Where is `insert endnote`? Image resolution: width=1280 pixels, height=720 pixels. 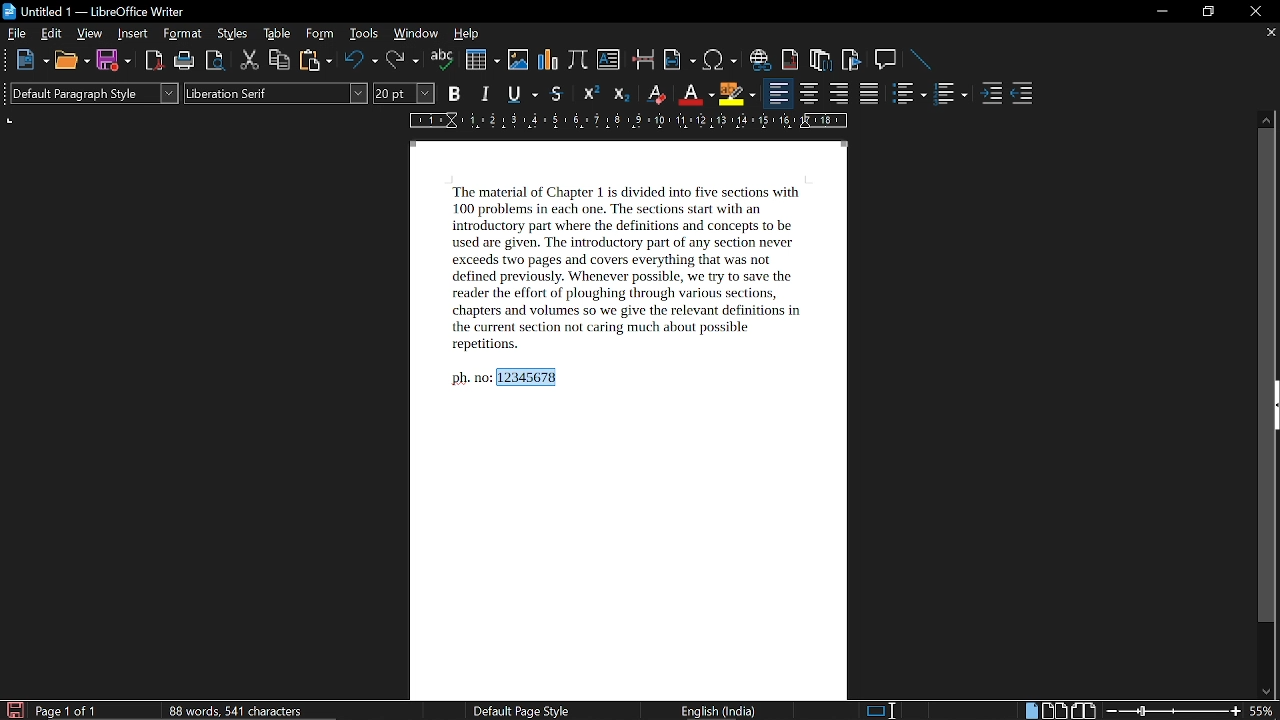 insert endnote is located at coordinates (822, 59).